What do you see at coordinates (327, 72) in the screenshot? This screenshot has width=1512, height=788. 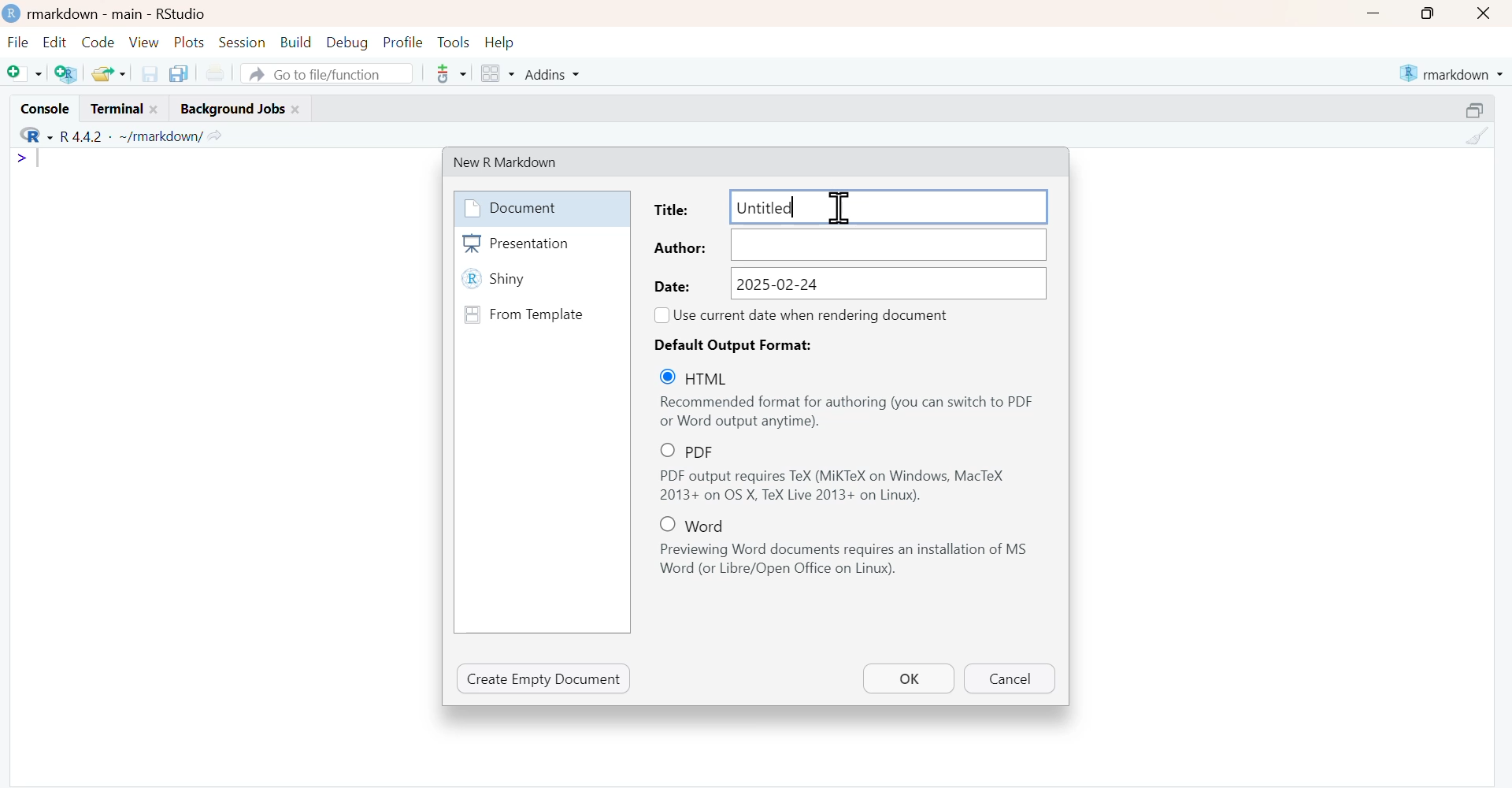 I see `Go to file/function` at bounding box center [327, 72].